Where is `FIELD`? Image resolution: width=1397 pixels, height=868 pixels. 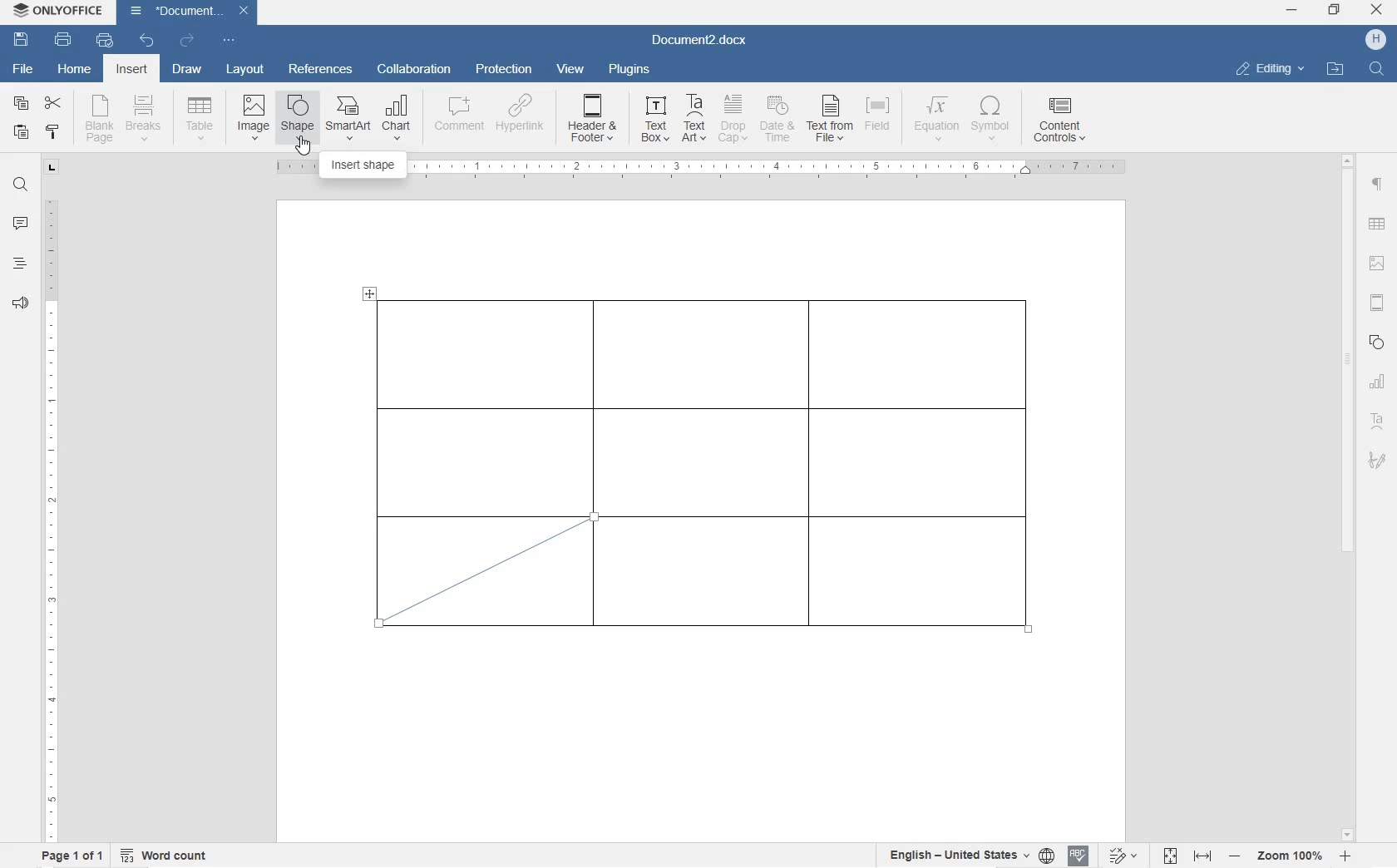
FIELD is located at coordinates (881, 121).